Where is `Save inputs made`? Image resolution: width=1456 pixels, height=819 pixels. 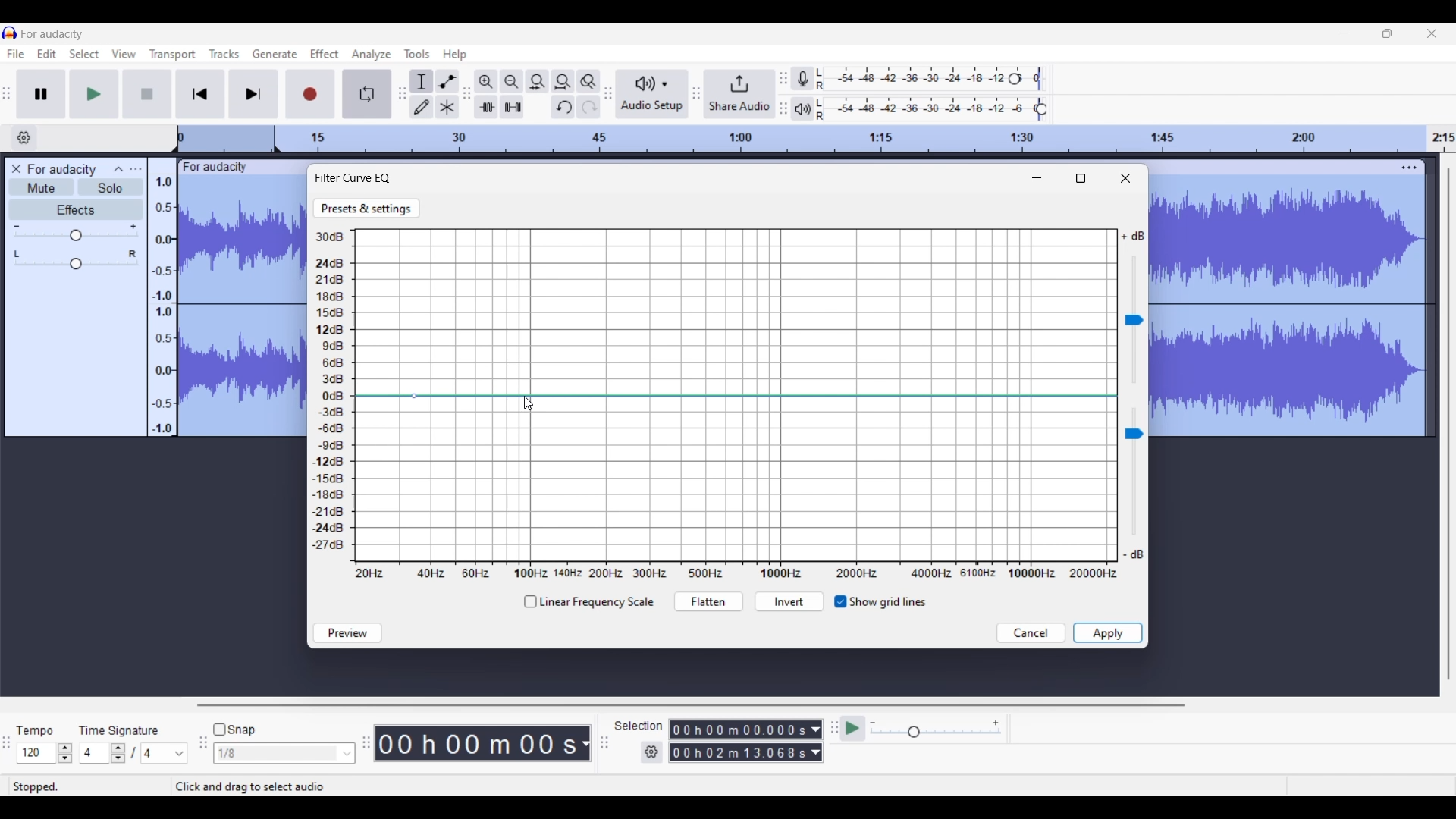
Save inputs made is located at coordinates (1108, 633).